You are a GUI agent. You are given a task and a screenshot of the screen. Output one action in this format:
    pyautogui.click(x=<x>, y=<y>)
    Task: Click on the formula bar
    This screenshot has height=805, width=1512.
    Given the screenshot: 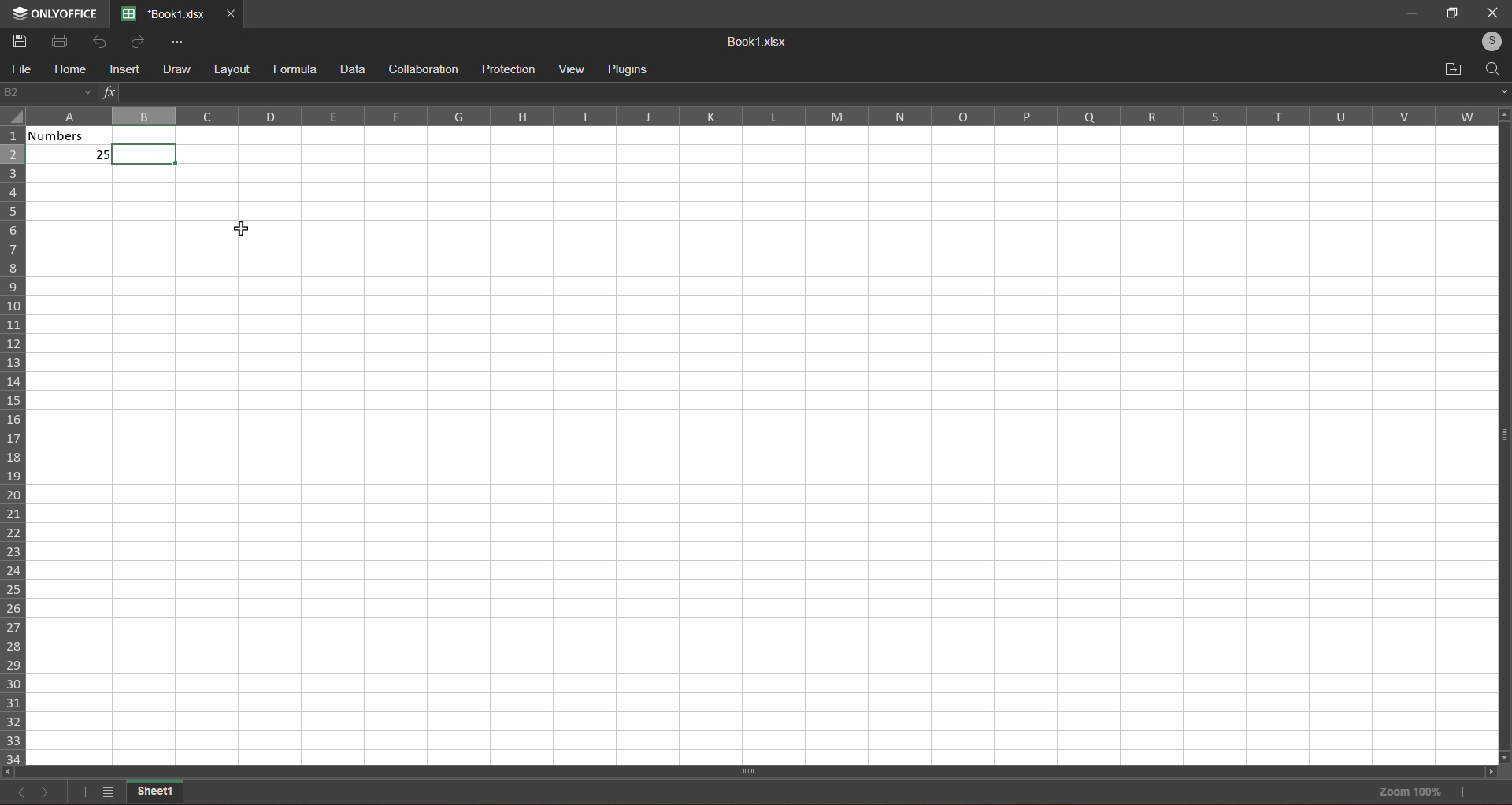 What is the action you would take?
    pyautogui.click(x=802, y=90)
    